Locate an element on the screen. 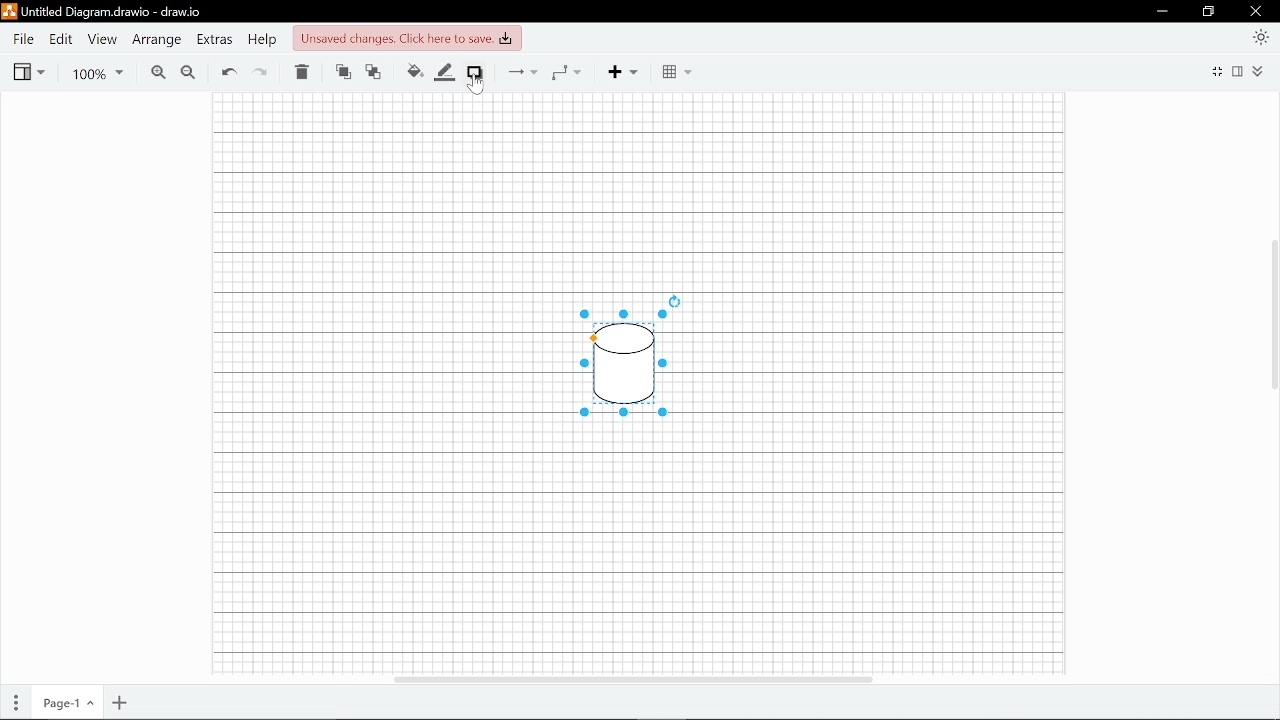 The height and width of the screenshot is (720, 1280). Current page is located at coordinates (67, 701).